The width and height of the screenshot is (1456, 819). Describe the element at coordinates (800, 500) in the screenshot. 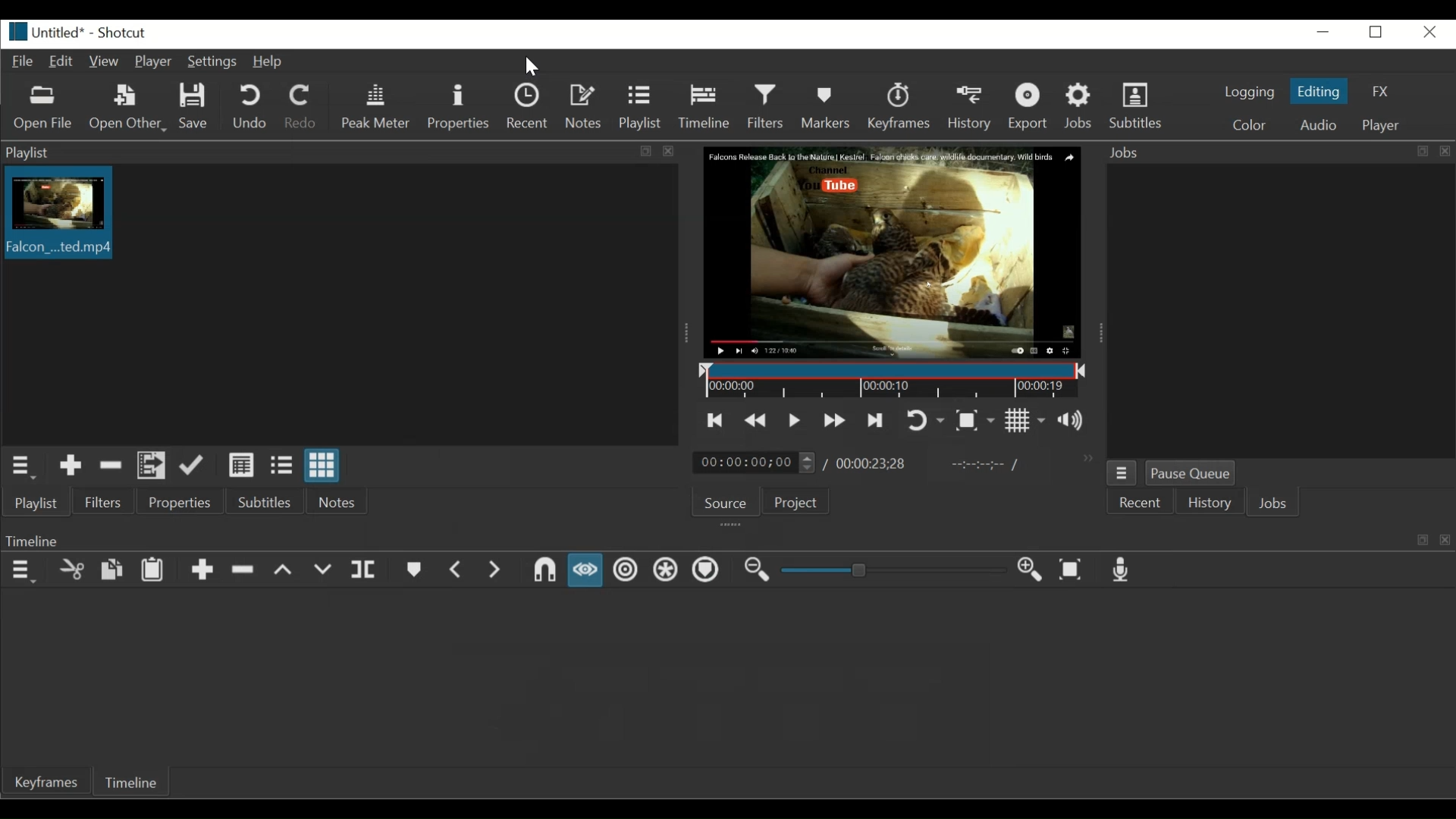

I see `Project` at that location.